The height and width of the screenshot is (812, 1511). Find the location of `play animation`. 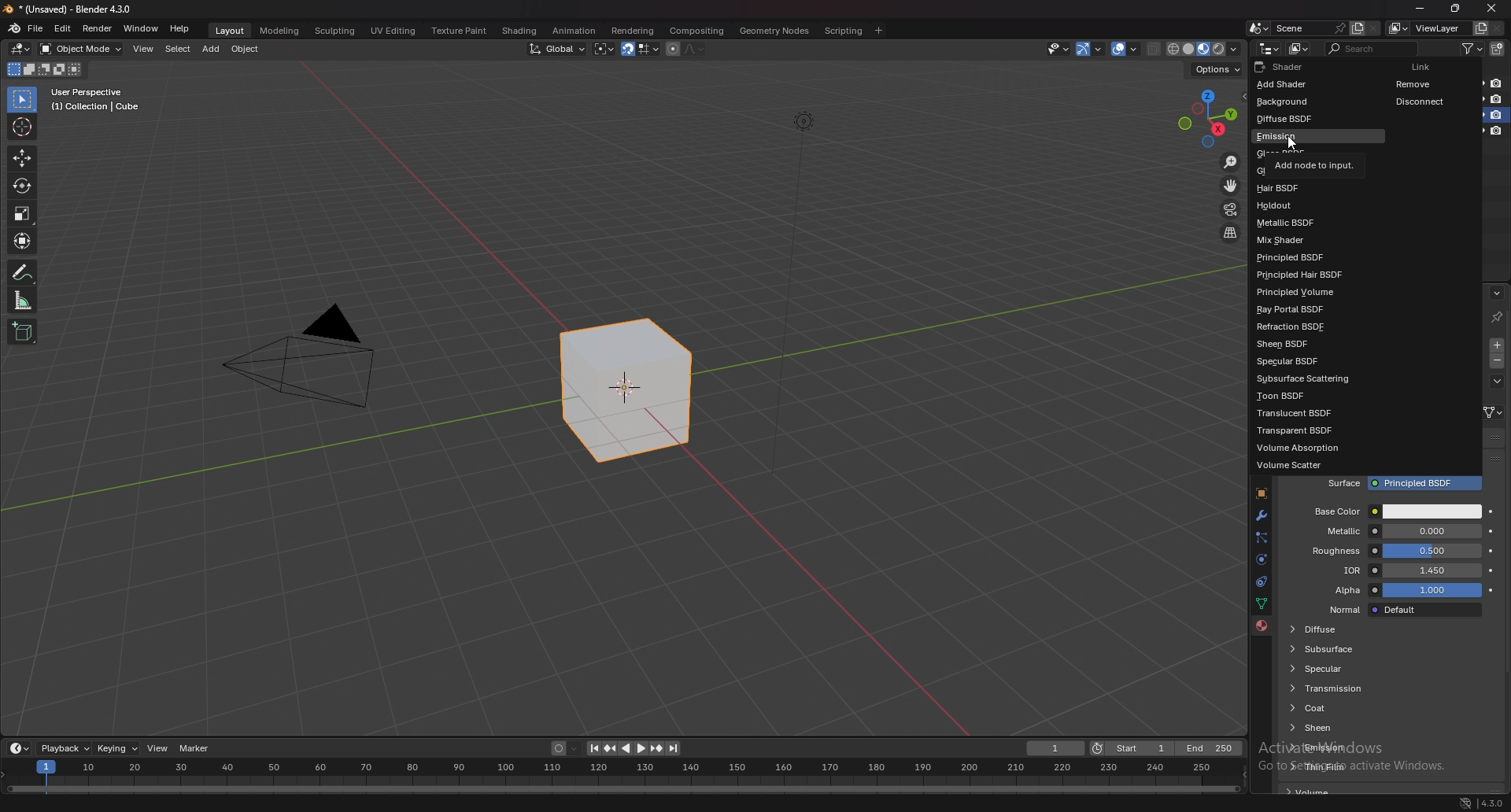

play animation is located at coordinates (633, 748).